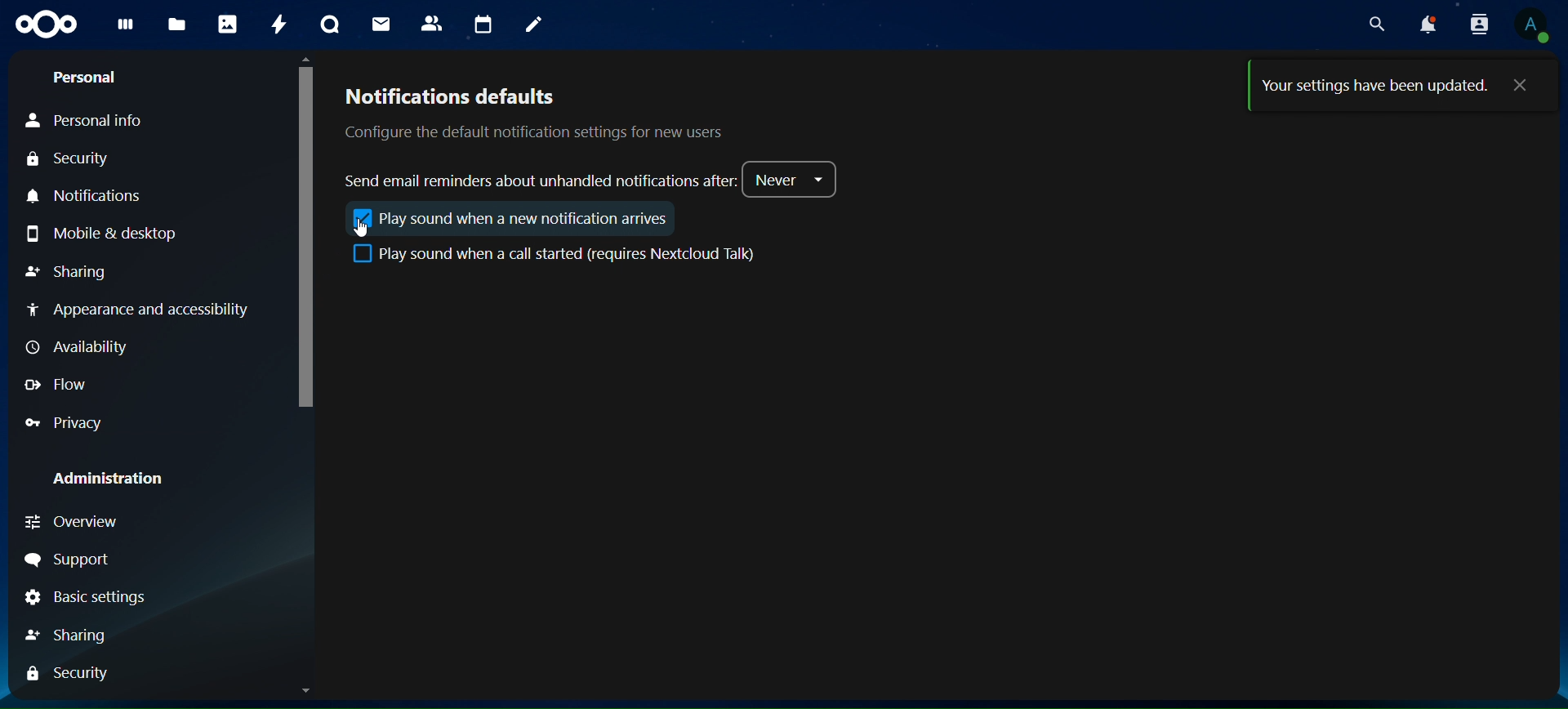 This screenshot has height=709, width=1568. Describe the element at coordinates (379, 25) in the screenshot. I see `mail` at that location.